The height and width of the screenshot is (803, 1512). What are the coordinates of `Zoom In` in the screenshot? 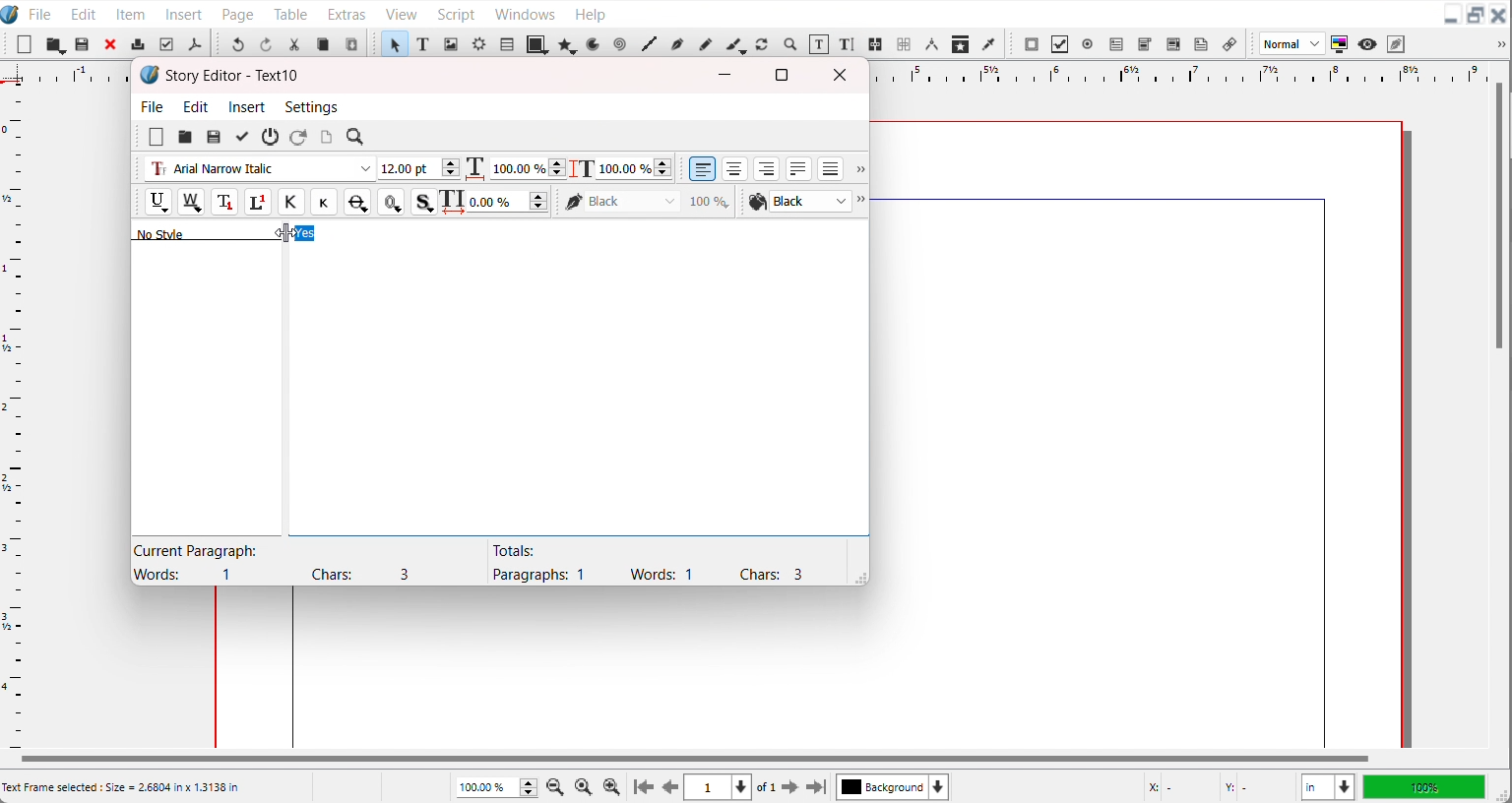 It's located at (612, 786).